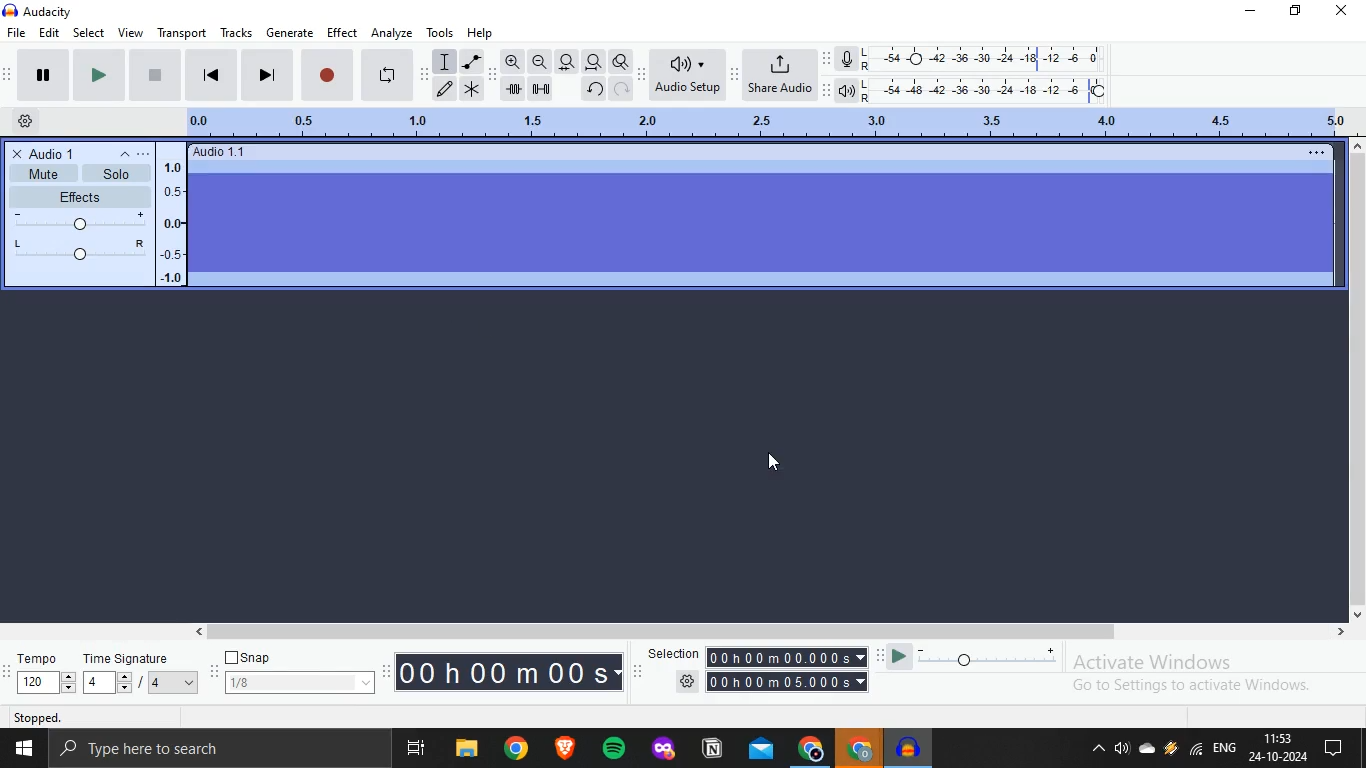  Describe the element at coordinates (1171, 750) in the screenshot. I see `Weather` at that location.